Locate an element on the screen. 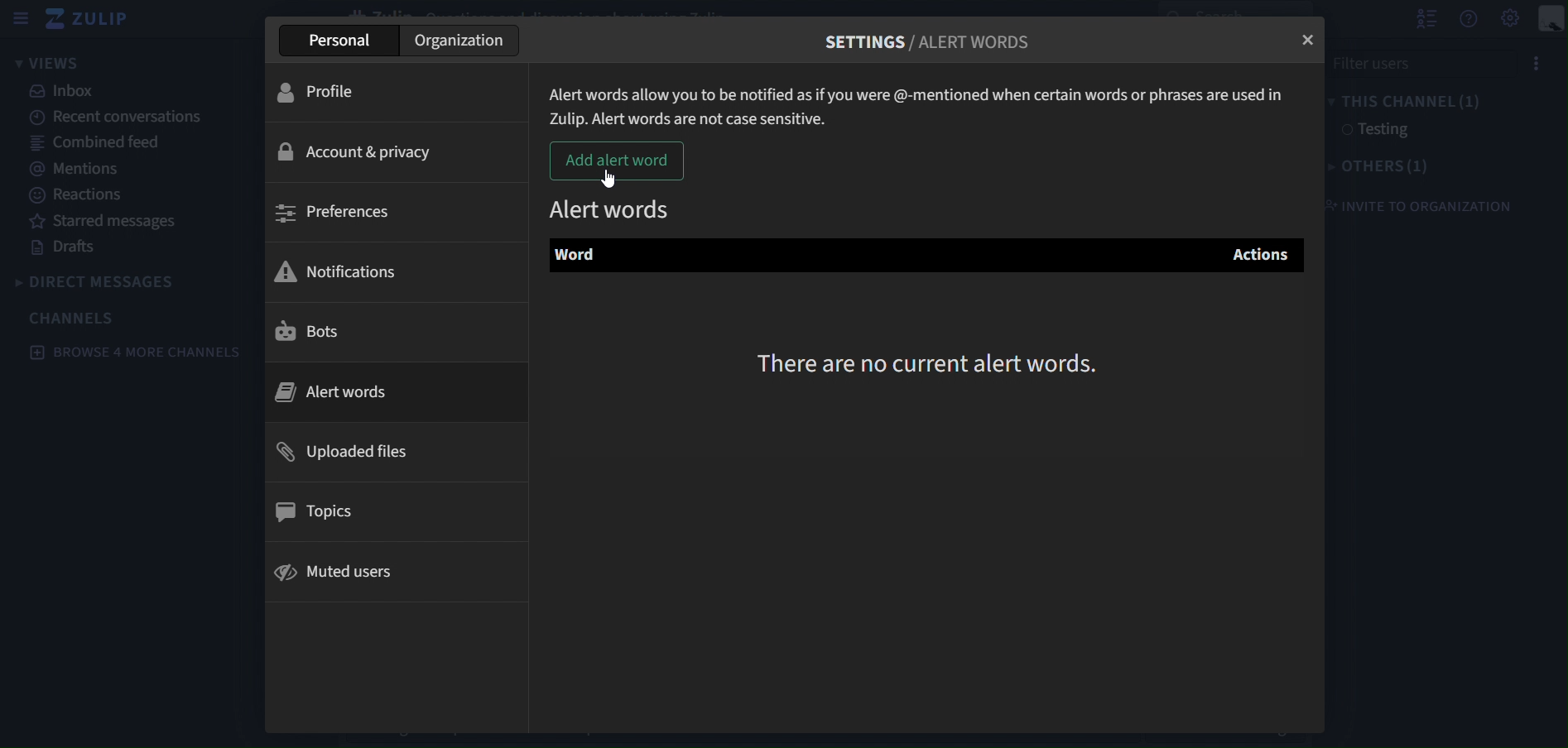 This screenshot has height=748, width=1568. preferences is located at coordinates (335, 212).